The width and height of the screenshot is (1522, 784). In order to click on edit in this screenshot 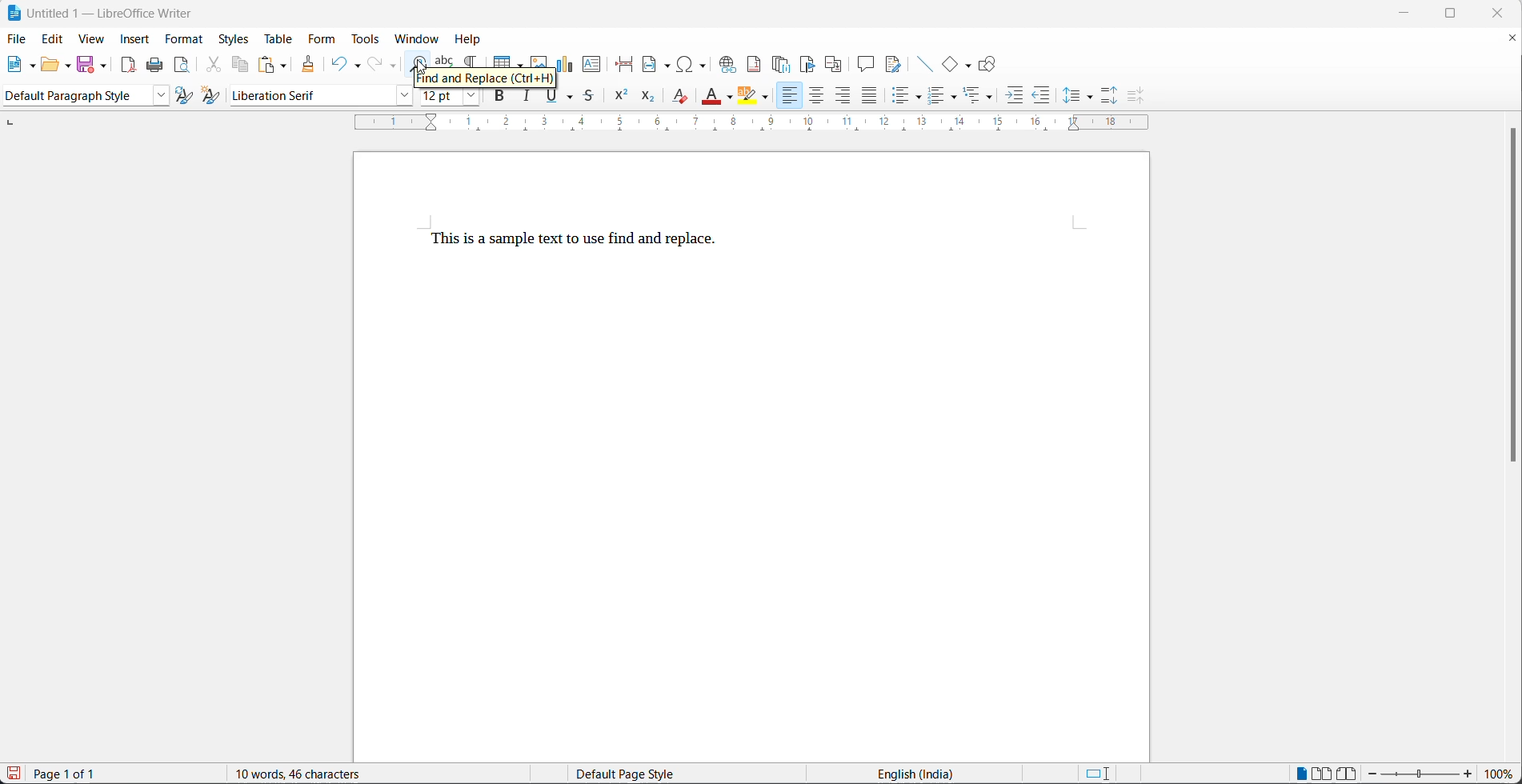, I will do `click(54, 40)`.